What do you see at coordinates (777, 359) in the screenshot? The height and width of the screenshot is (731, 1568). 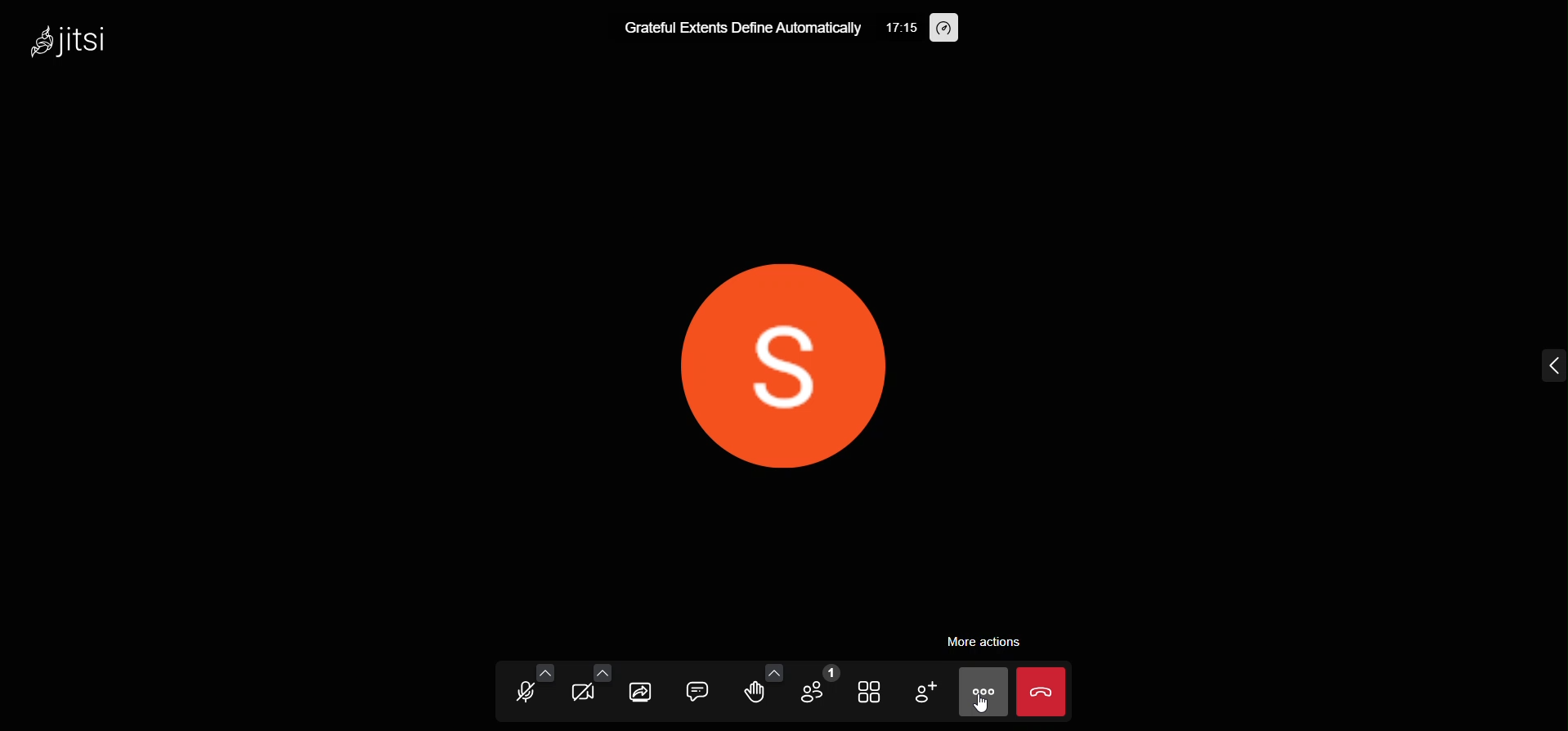 I see `display picture` at bounding box center [777, 359].